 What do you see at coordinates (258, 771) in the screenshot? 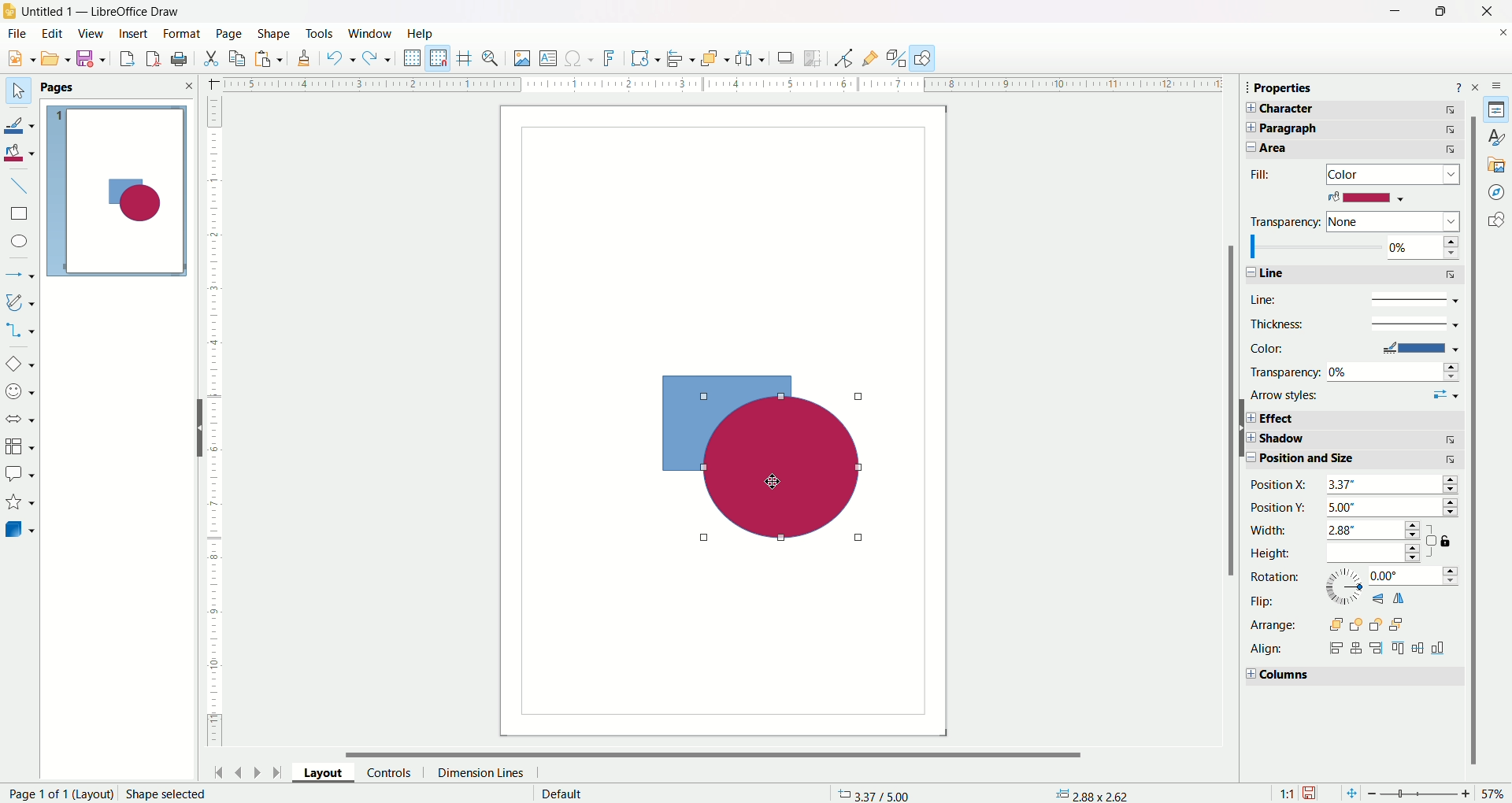
I see `next page` at bounding box center [258, 771].